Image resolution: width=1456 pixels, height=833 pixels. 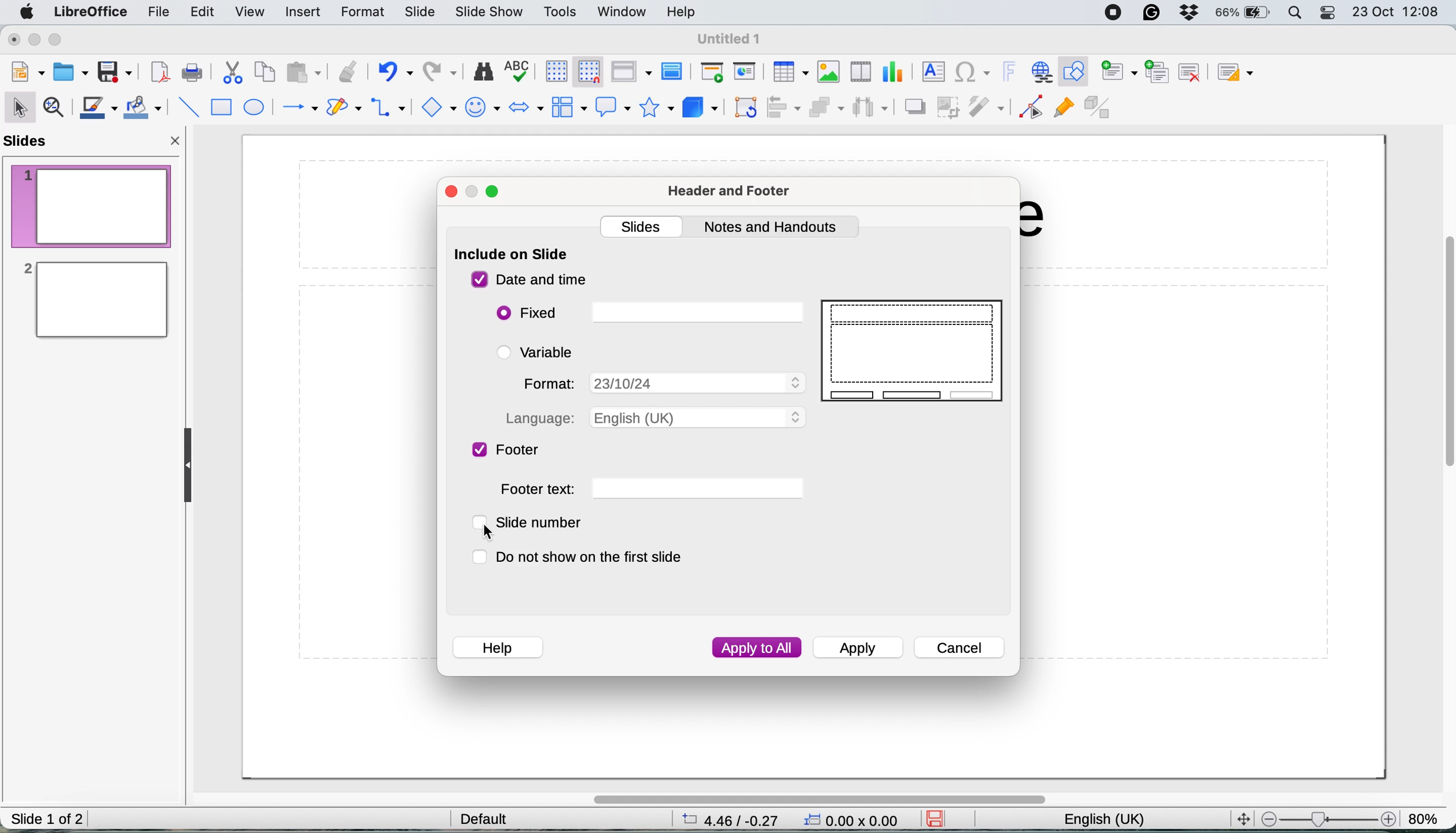 What do you see at coordinates (30, 142) in the screenshot?
I see `slides` at bounding box center [30, 142].